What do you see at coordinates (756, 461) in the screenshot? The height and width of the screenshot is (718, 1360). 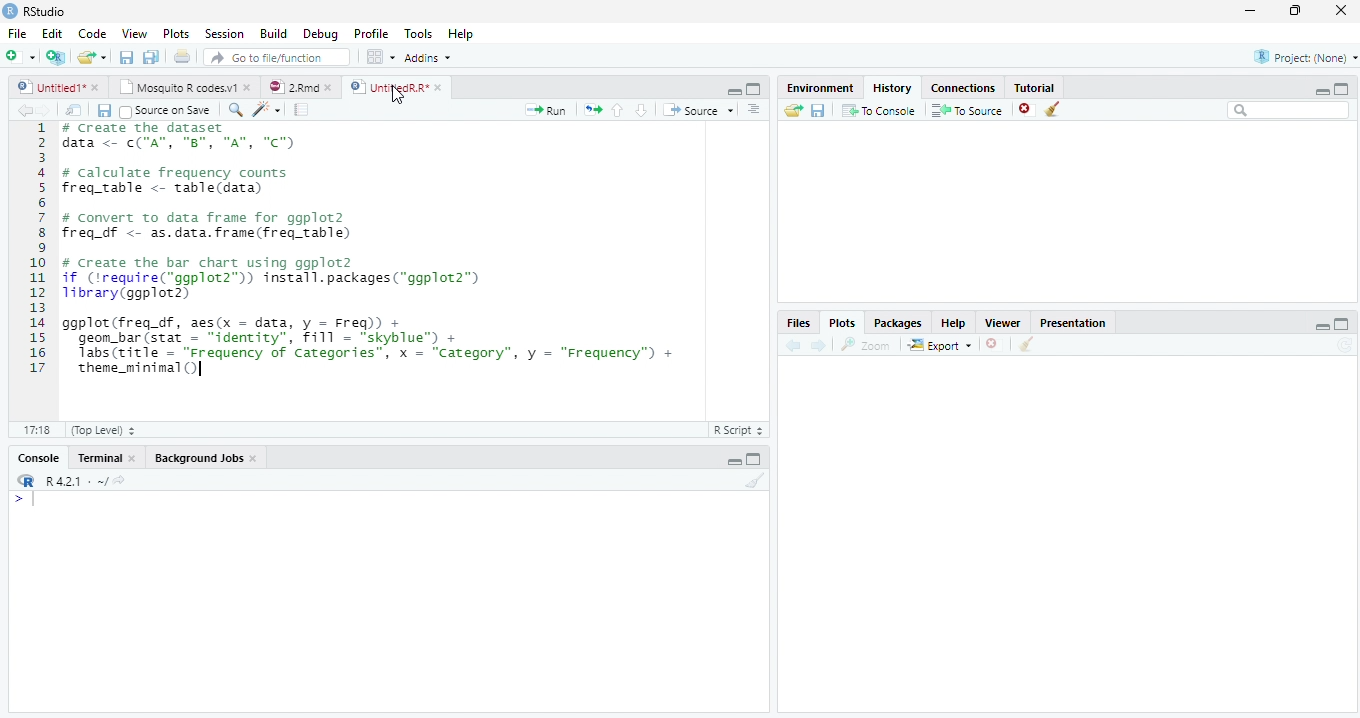 I see `Maximize` at bounding box center [756, 461].